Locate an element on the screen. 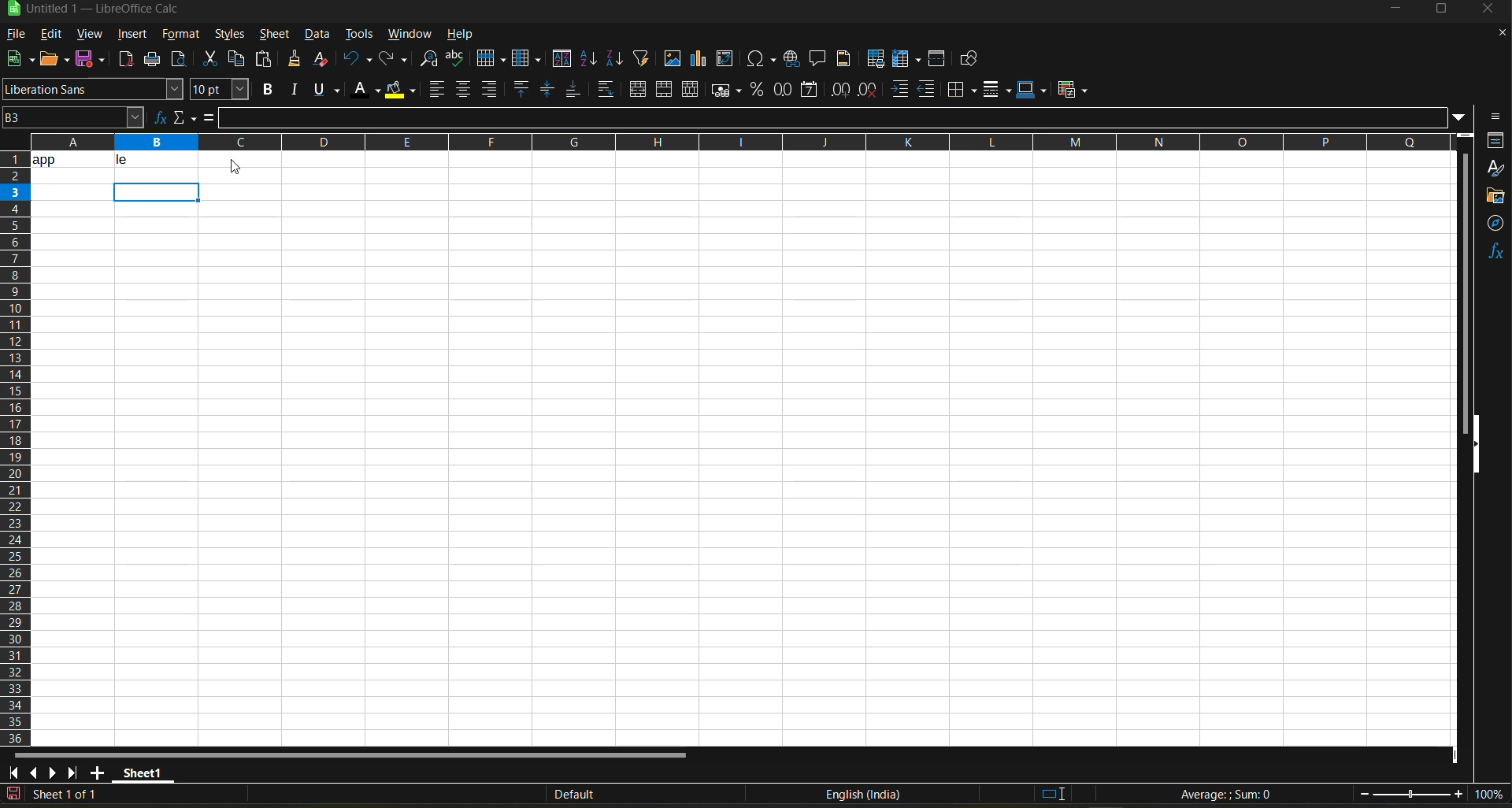 The height and width of the screenshot is (808, 1512). sheet name is located at coordinates (140, 770).